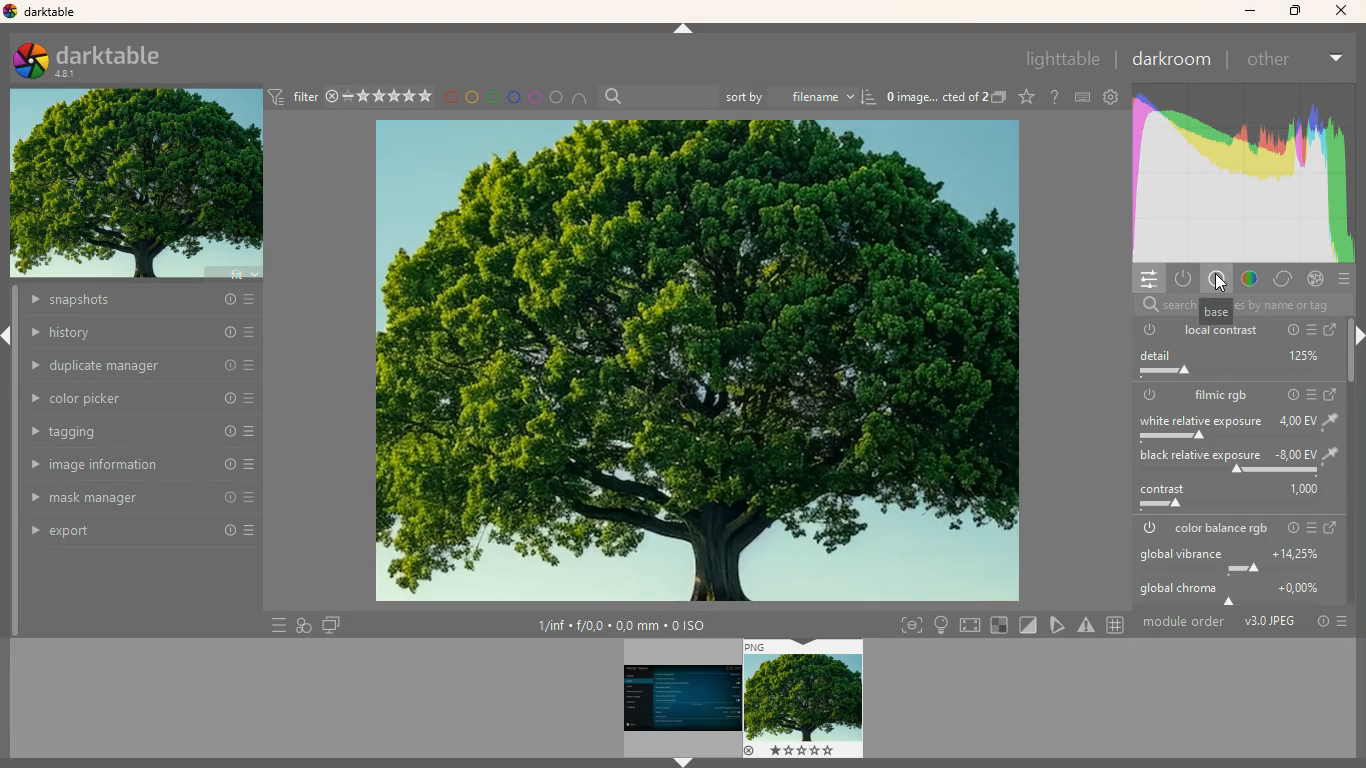  I want to click on sort by filename, so click(799, 97).